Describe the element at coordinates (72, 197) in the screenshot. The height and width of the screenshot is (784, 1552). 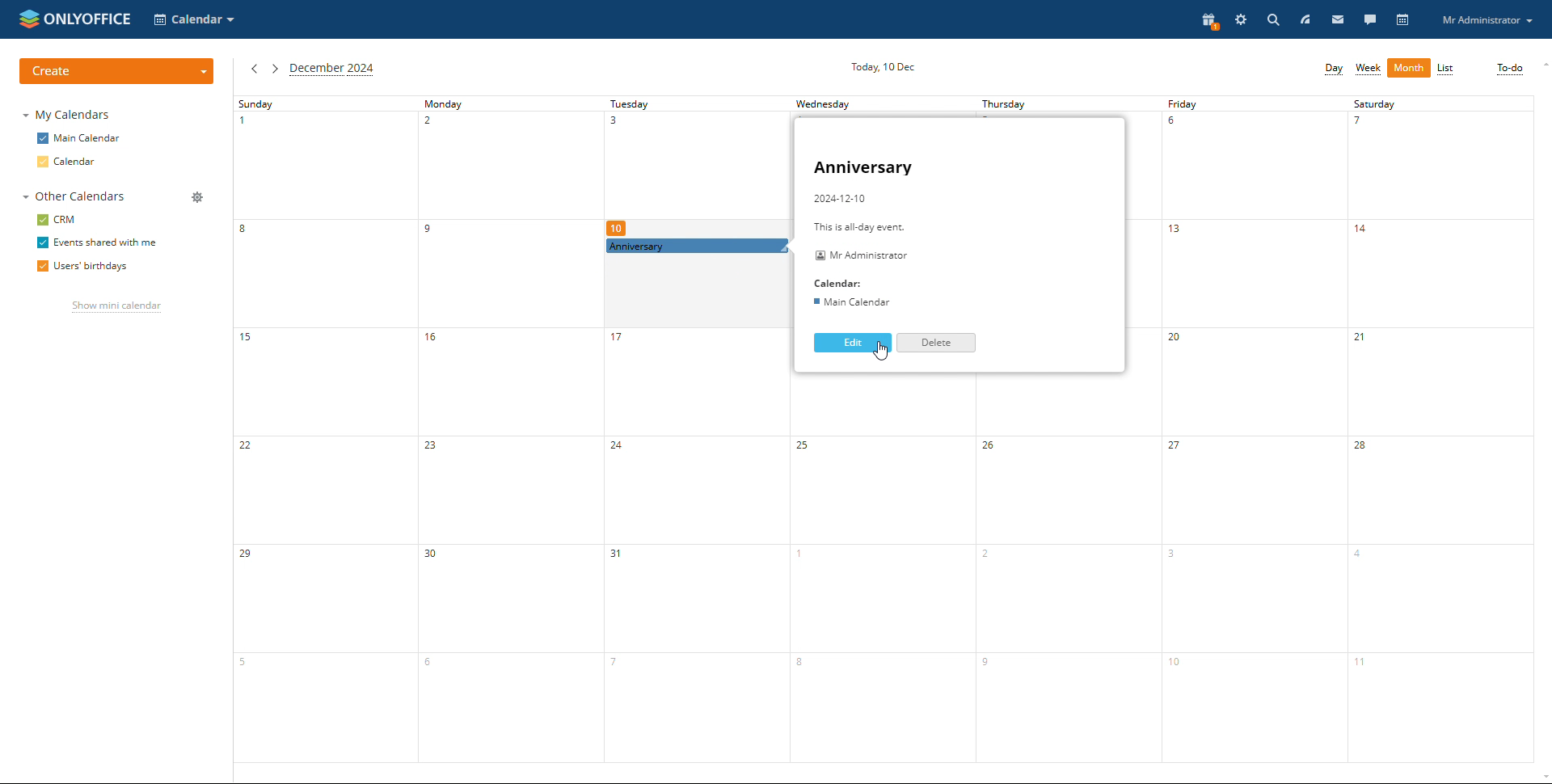
I see `other calendars` at that location.